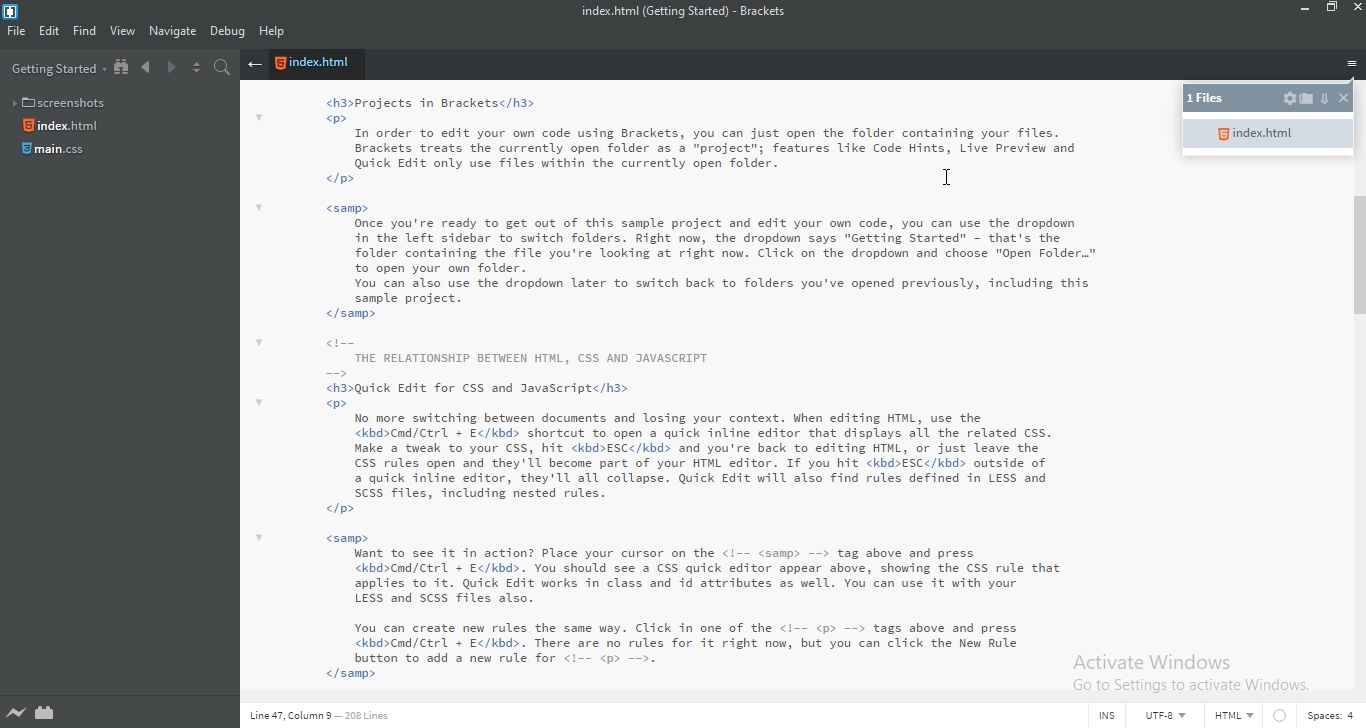 The height and width of the screenshot is (728, 1366). I want to click on circle, so click(1285, 716).